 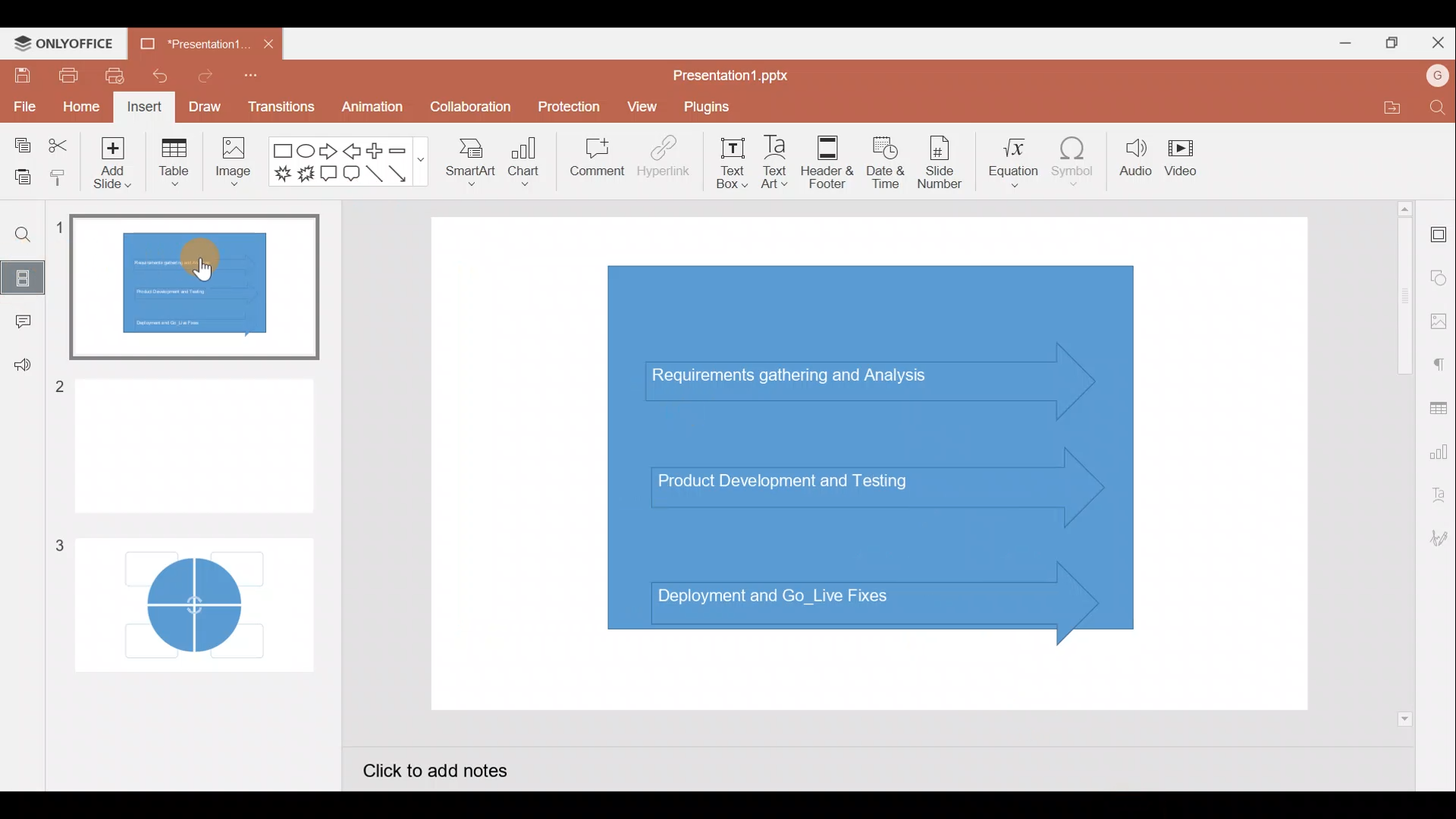 What do you see at coordinates (875, 464) in the screenshot?
I see `Presentation slide` at bounding box center [875, 464].